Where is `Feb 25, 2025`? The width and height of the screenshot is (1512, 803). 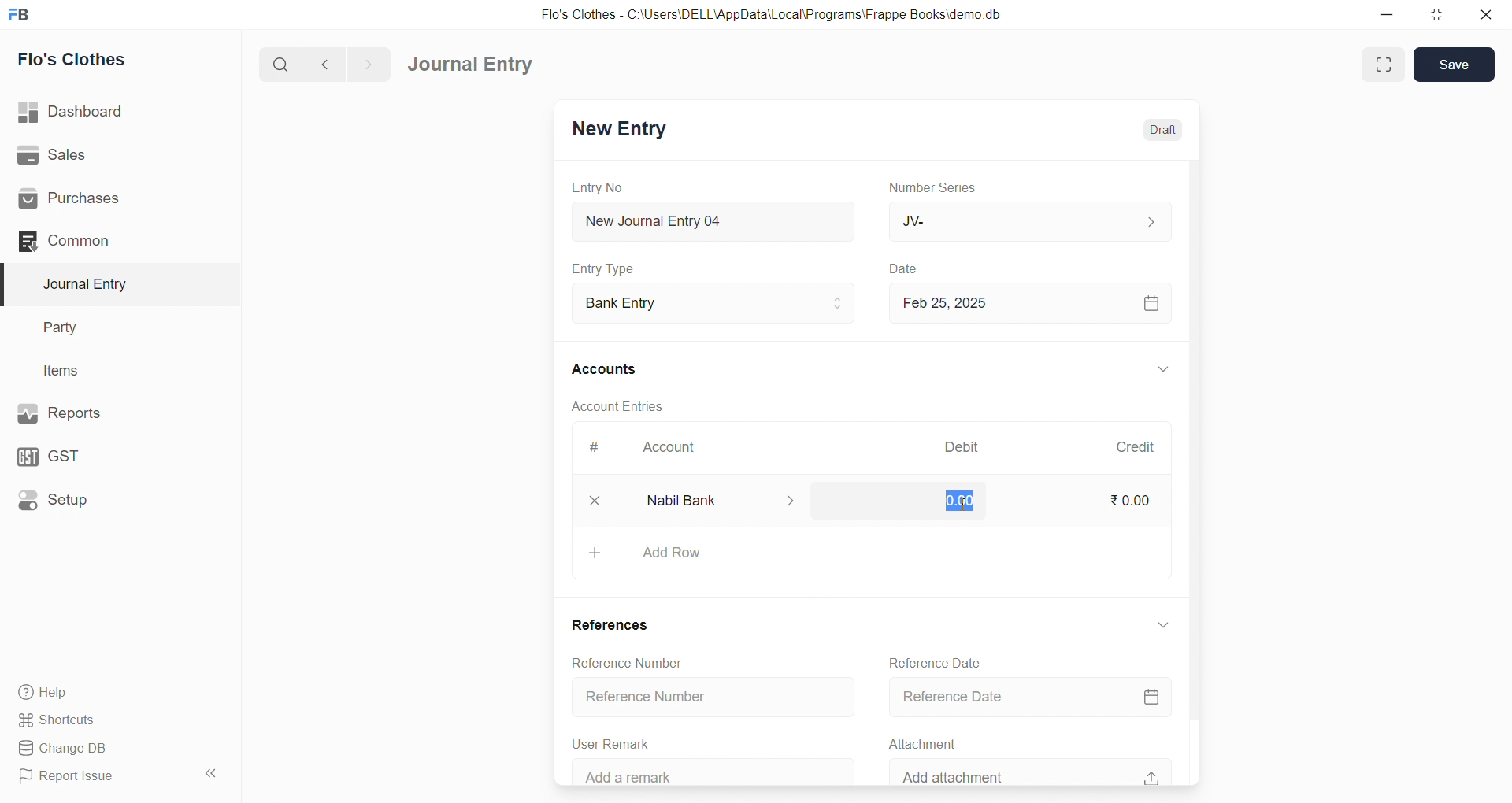
Feb 25, 2025 is located at coordinates (1027, 302).